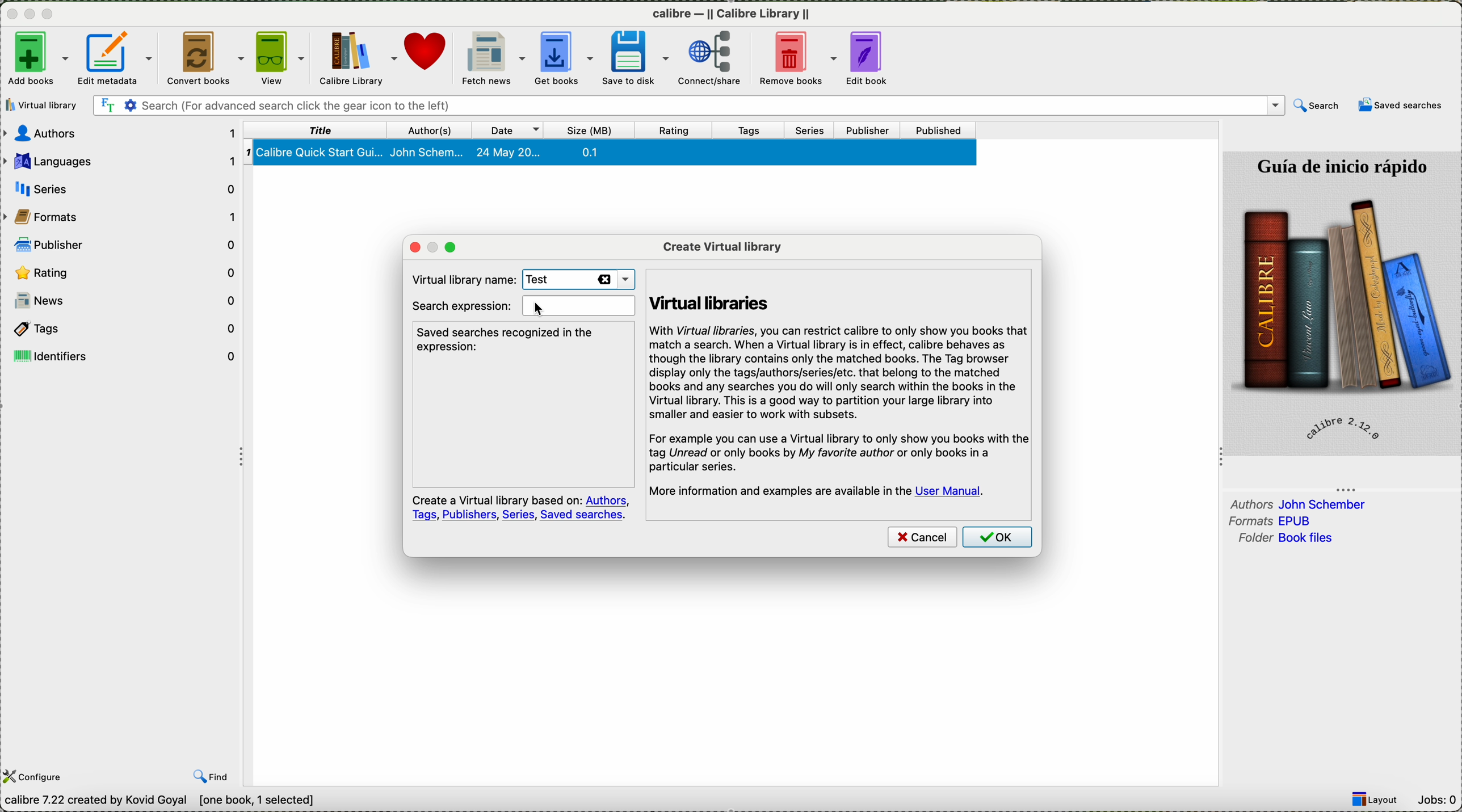 The width and height of the screenshot is (1462, 812). Describe the element at coordinates (1402, 106) in the screenshot. I see `saved searches` at that location.